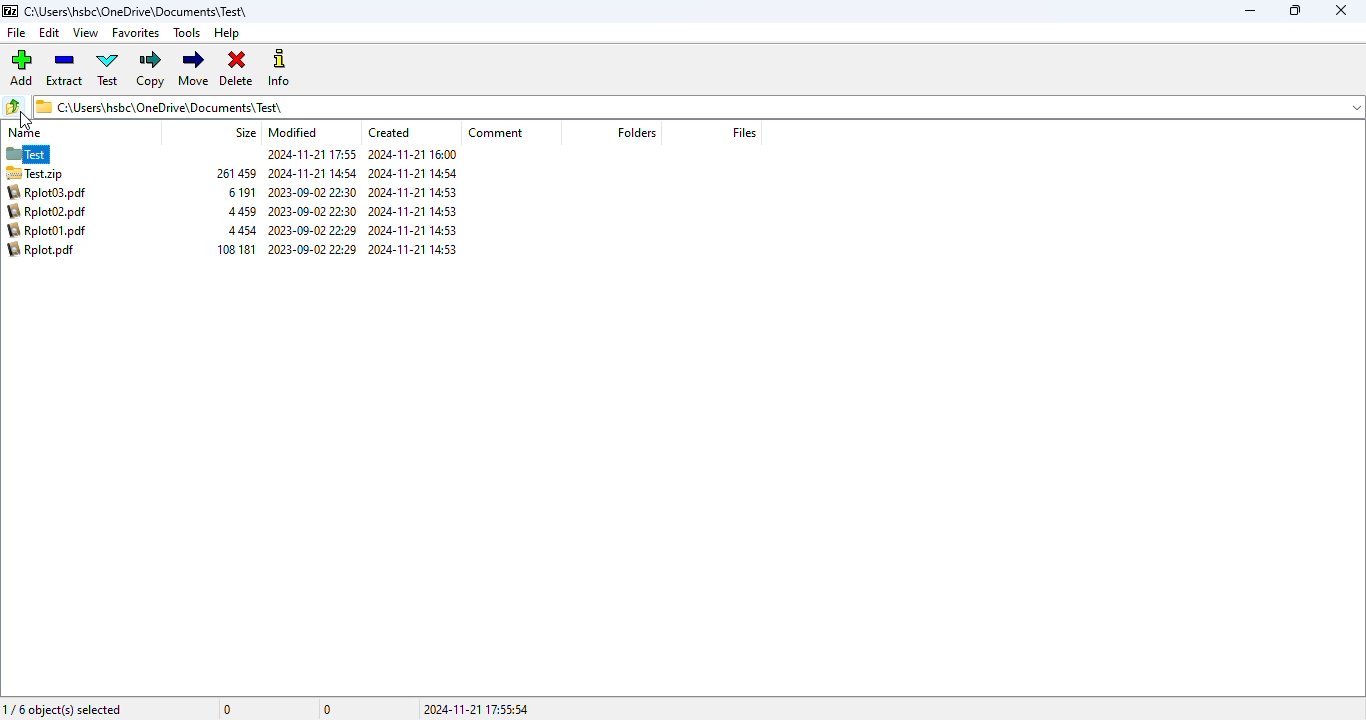  I want to click on minimize, so click(1249, 11).